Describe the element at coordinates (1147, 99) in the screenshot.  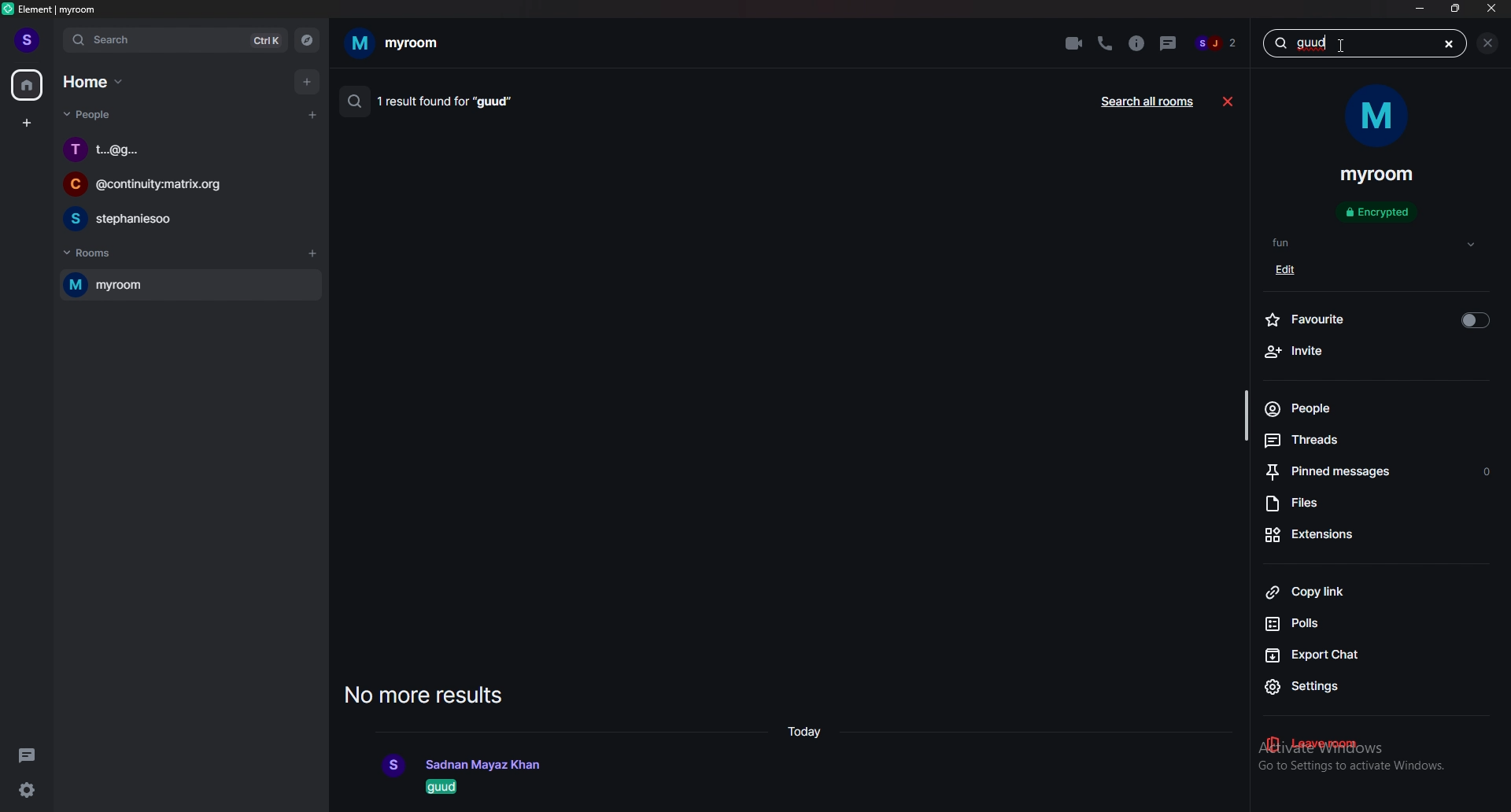
I see `search all rooms` at that location.